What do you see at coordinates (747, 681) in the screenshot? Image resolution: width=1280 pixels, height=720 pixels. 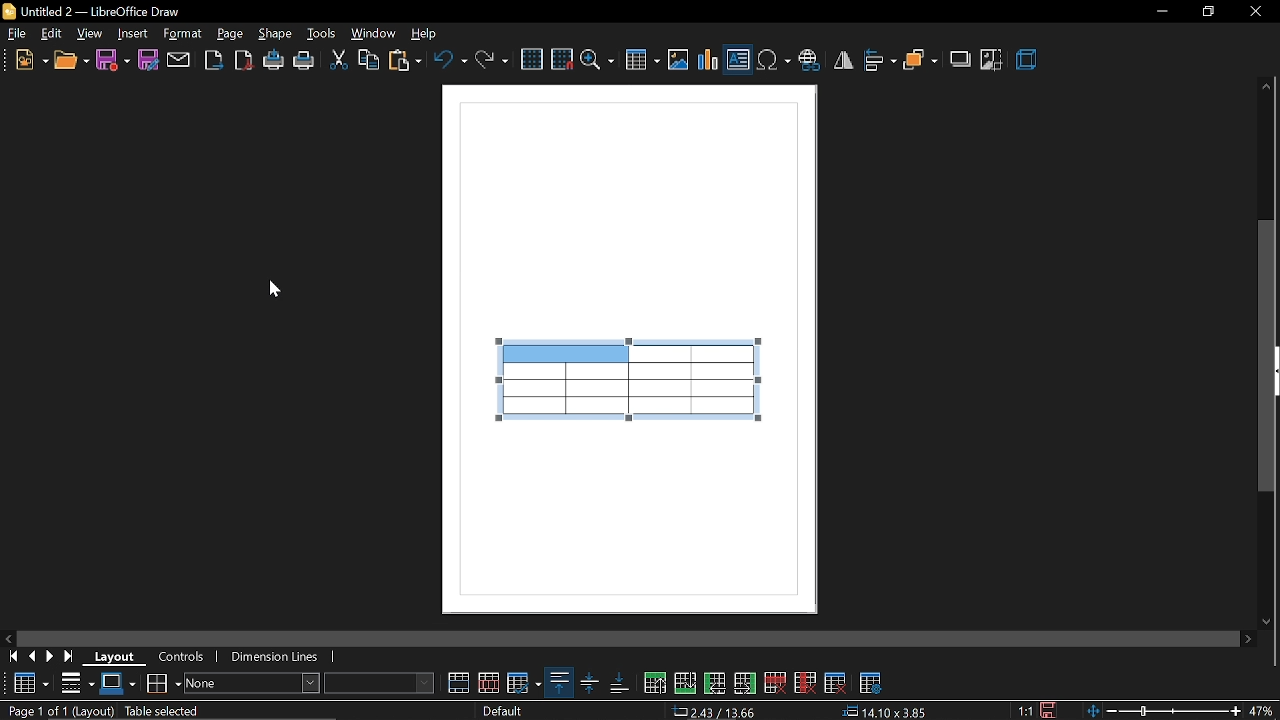 I see `insert column after` at bounding box center [747, 681].